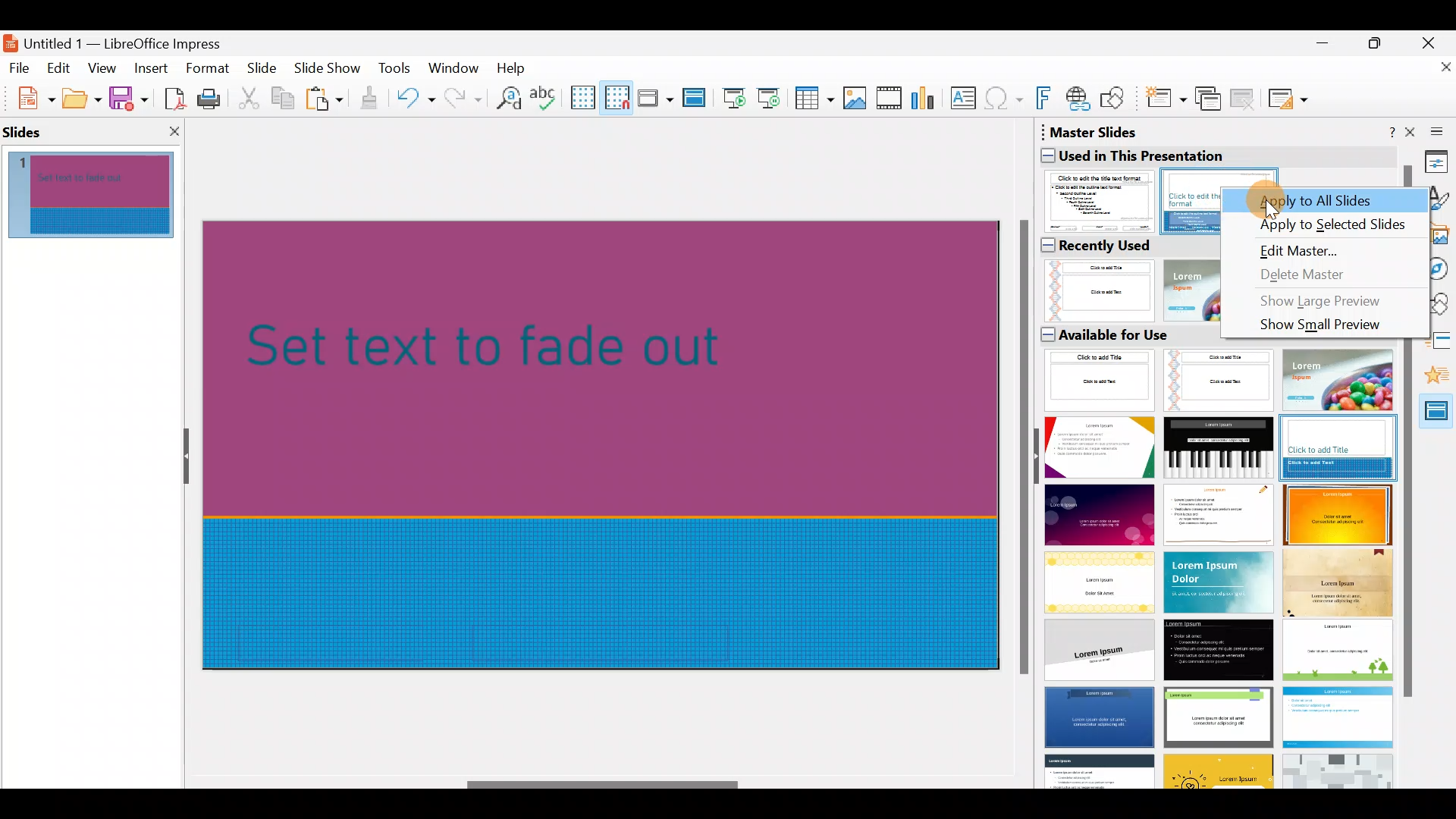  I want to click on Insert text box, so click(966, 99).